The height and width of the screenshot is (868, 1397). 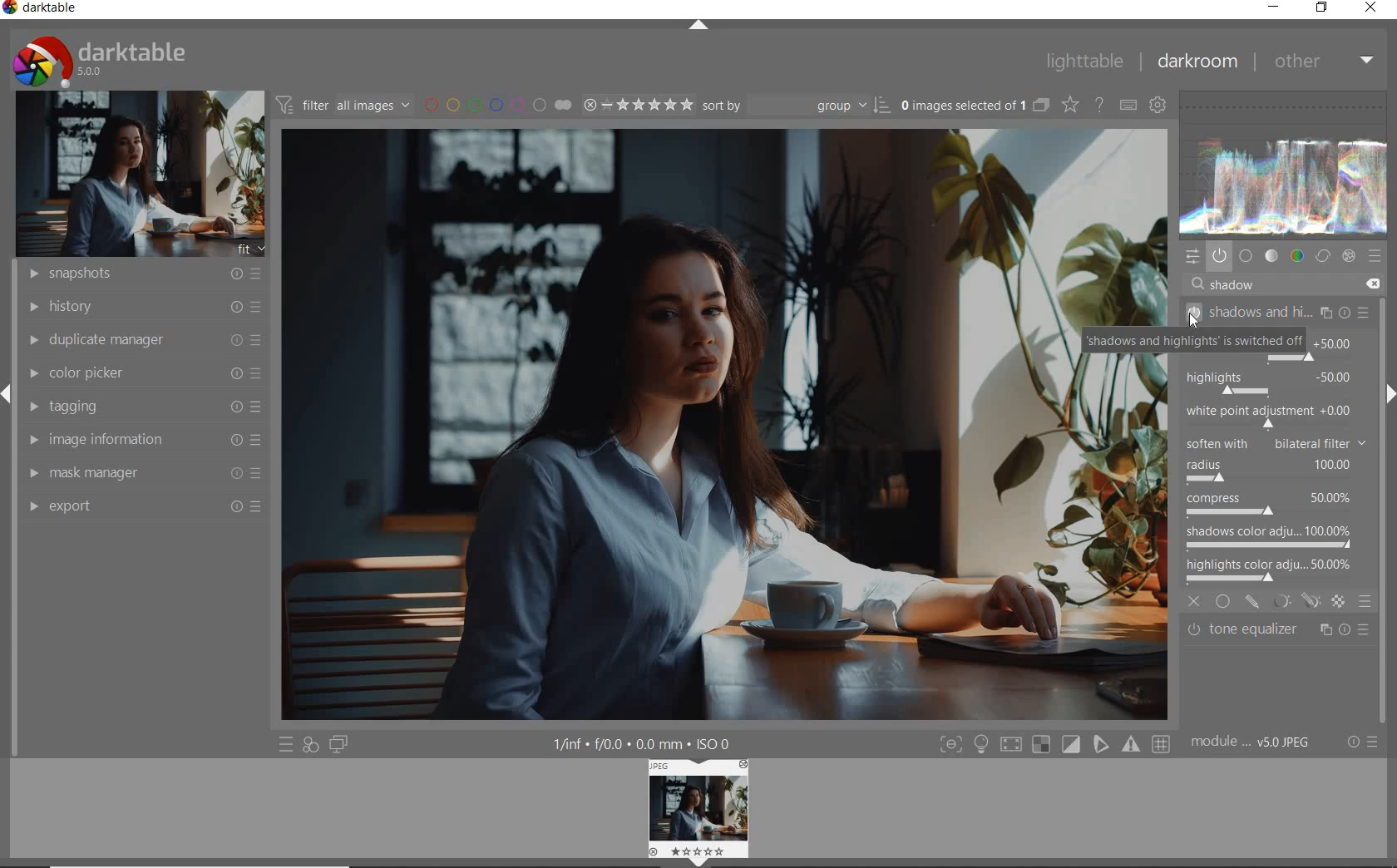 I want to click on minimize, so click(x=1274, y=7).